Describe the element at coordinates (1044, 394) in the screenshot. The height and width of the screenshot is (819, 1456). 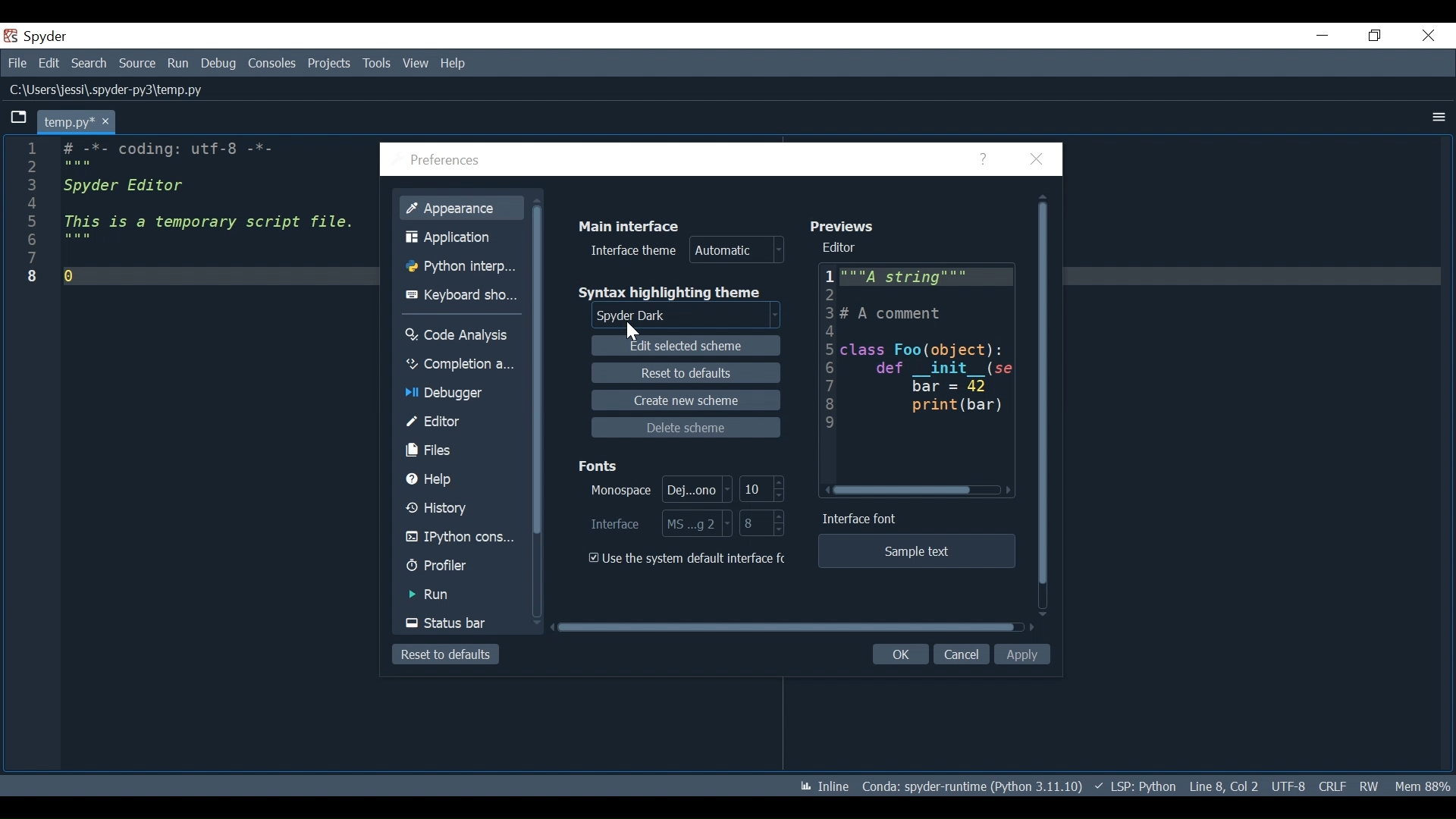
I see `Vertical Scroll bar` at that location.